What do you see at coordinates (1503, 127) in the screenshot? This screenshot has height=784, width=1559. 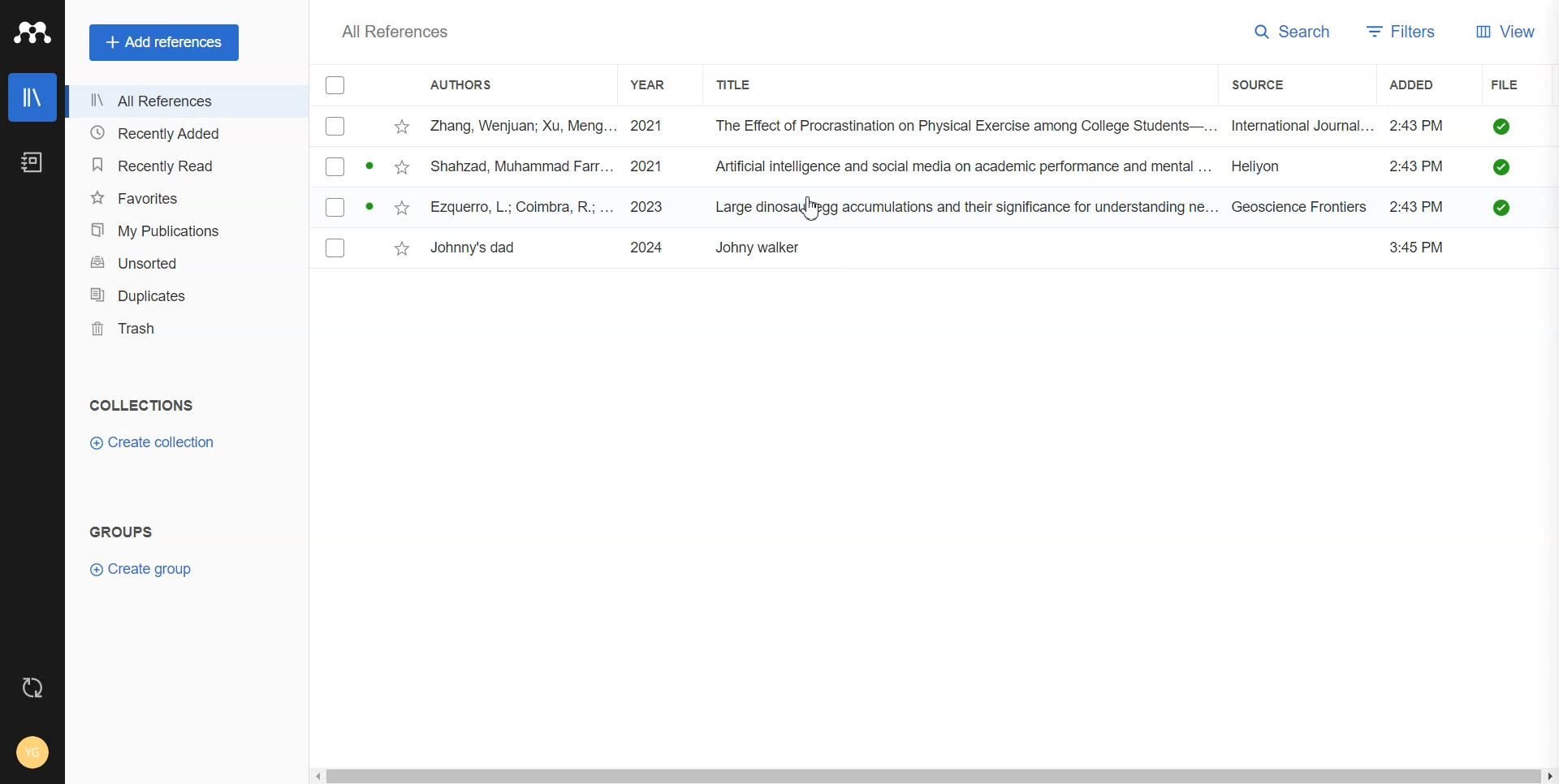 I see `Check` at bounding box center [1503, 127].